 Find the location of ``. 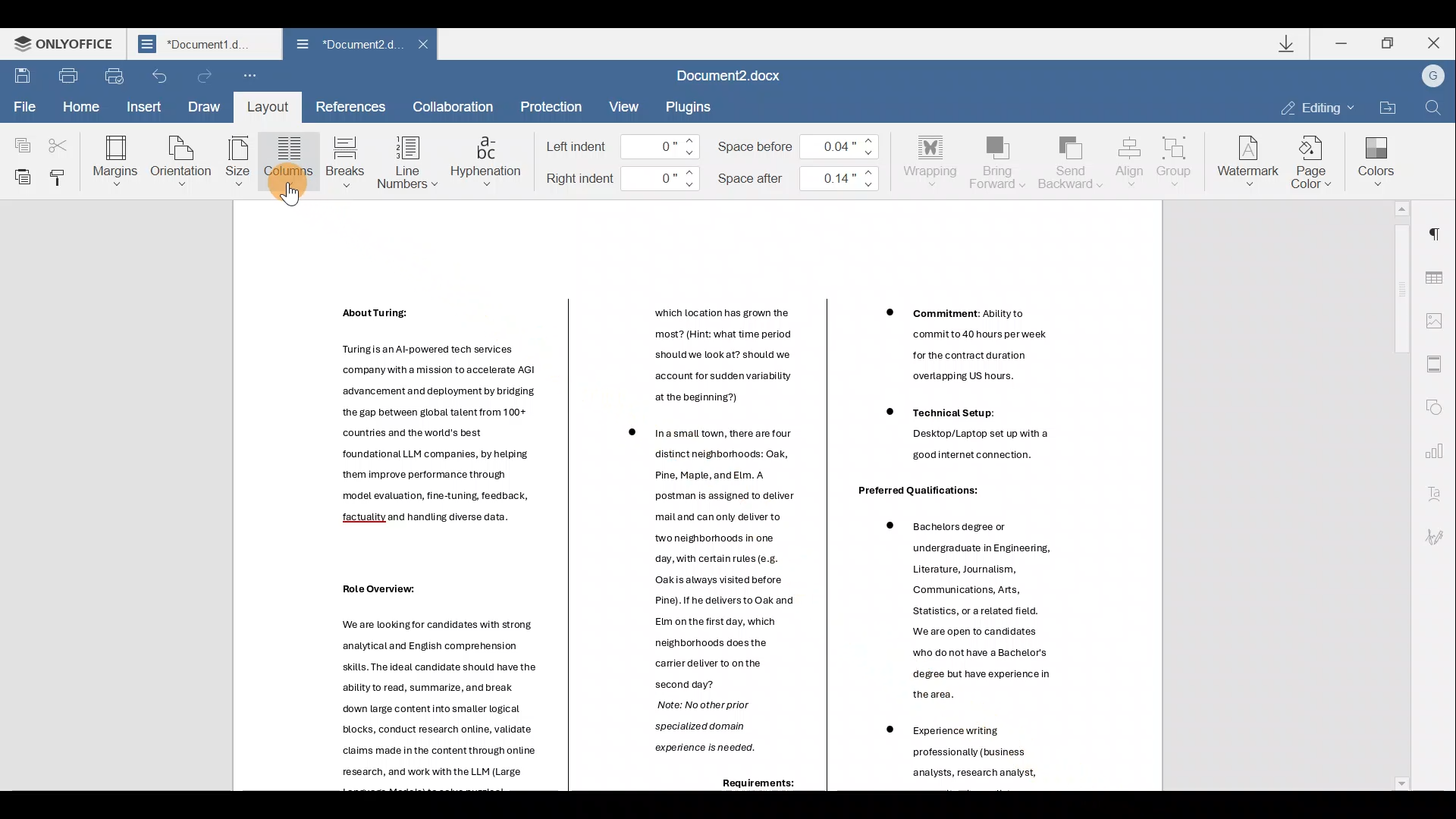

 is located at coordinates (707, 566).